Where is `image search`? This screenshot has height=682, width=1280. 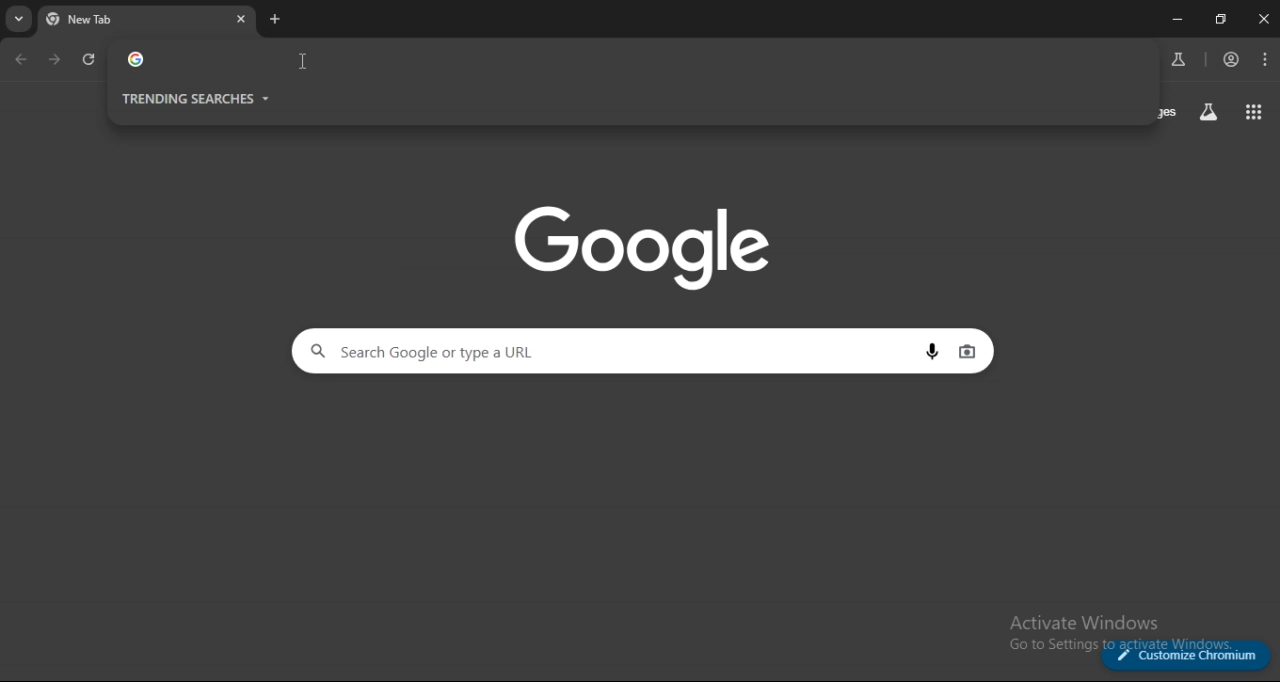
image search is located at coordinates (967, 352).